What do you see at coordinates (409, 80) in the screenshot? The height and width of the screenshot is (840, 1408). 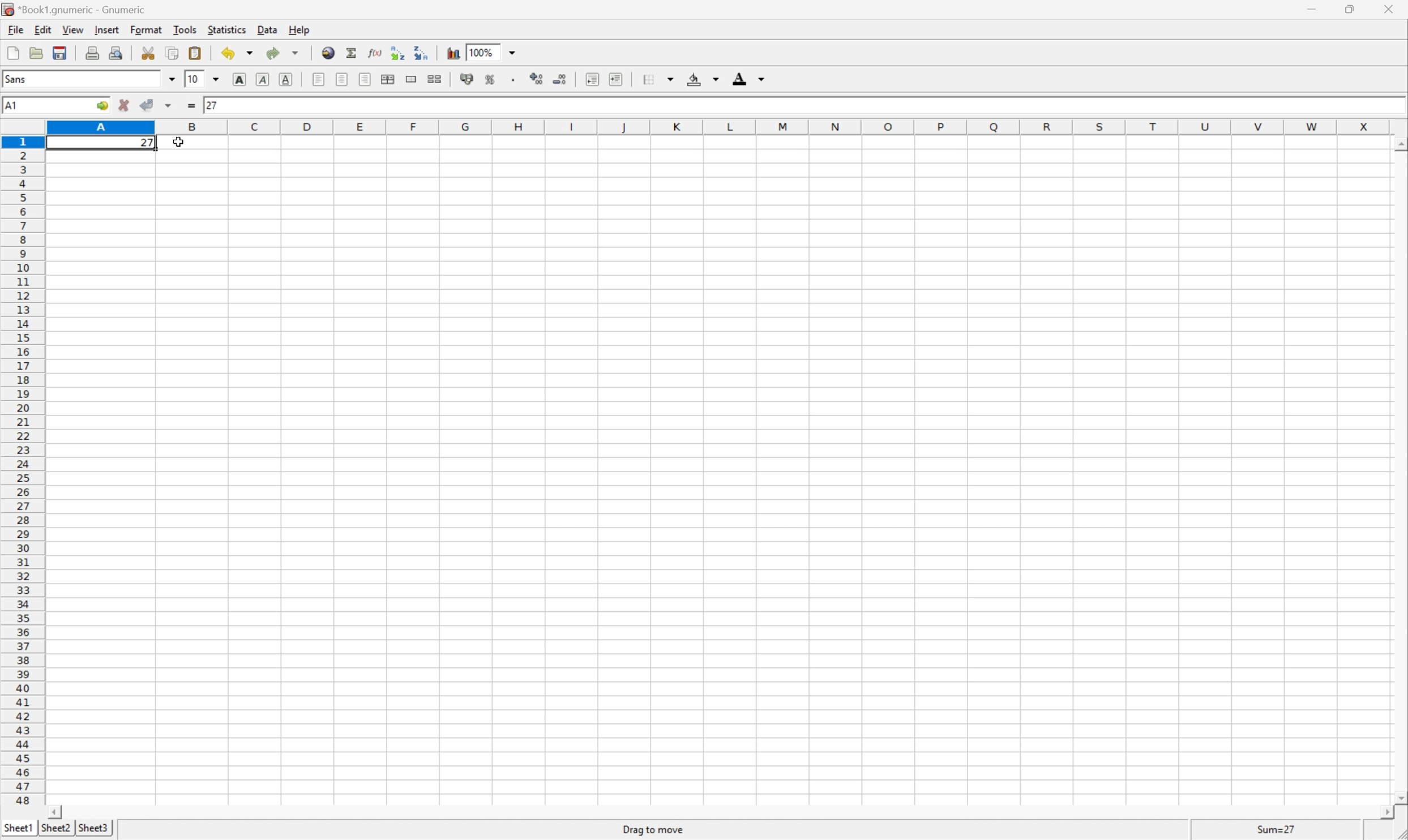 I see `Merge a range of cells` at bounding box center [409, 80].